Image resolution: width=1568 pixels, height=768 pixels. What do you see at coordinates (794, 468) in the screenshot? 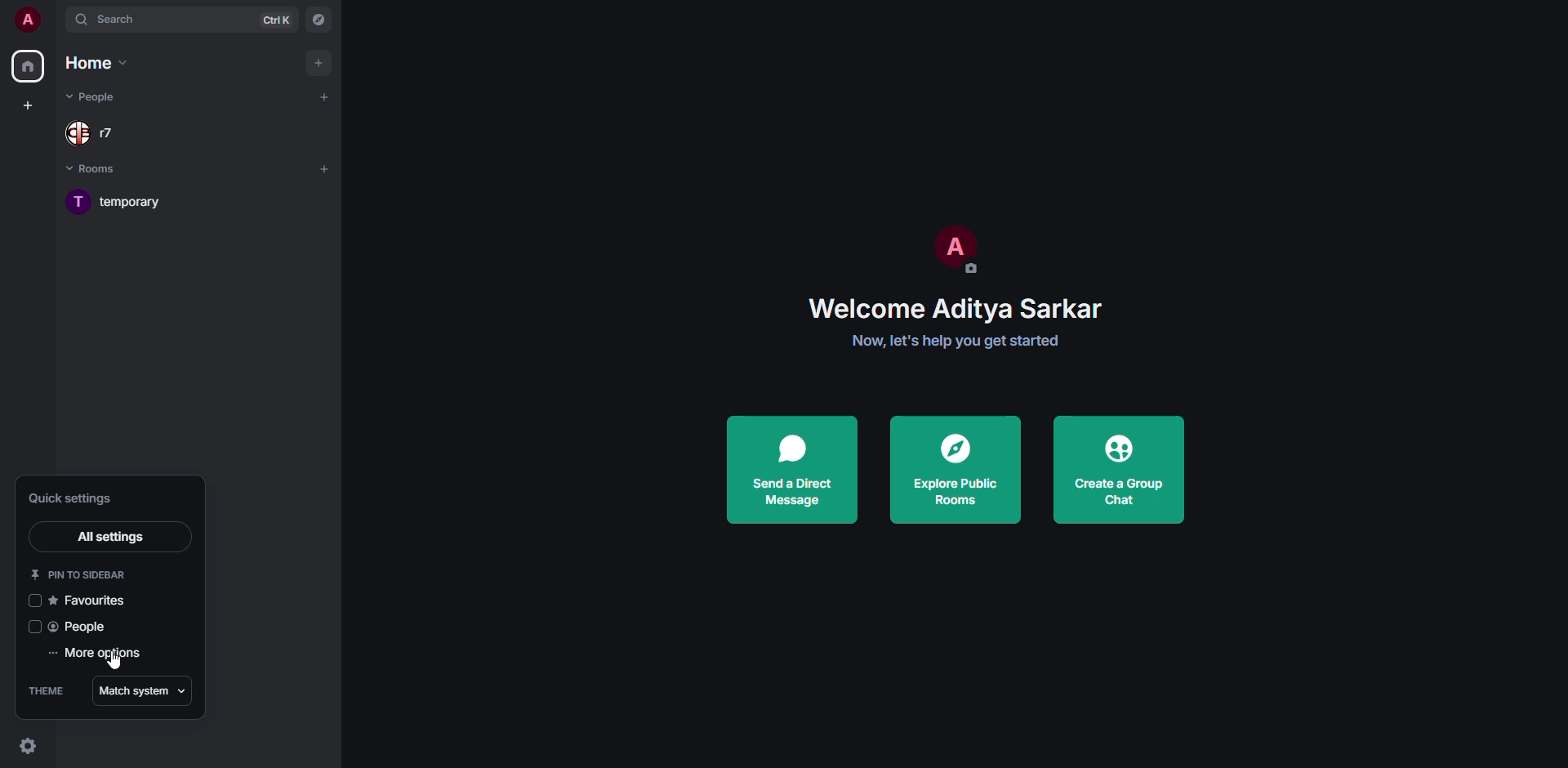
I see `send a direct message` at bounding box center [794, 468].